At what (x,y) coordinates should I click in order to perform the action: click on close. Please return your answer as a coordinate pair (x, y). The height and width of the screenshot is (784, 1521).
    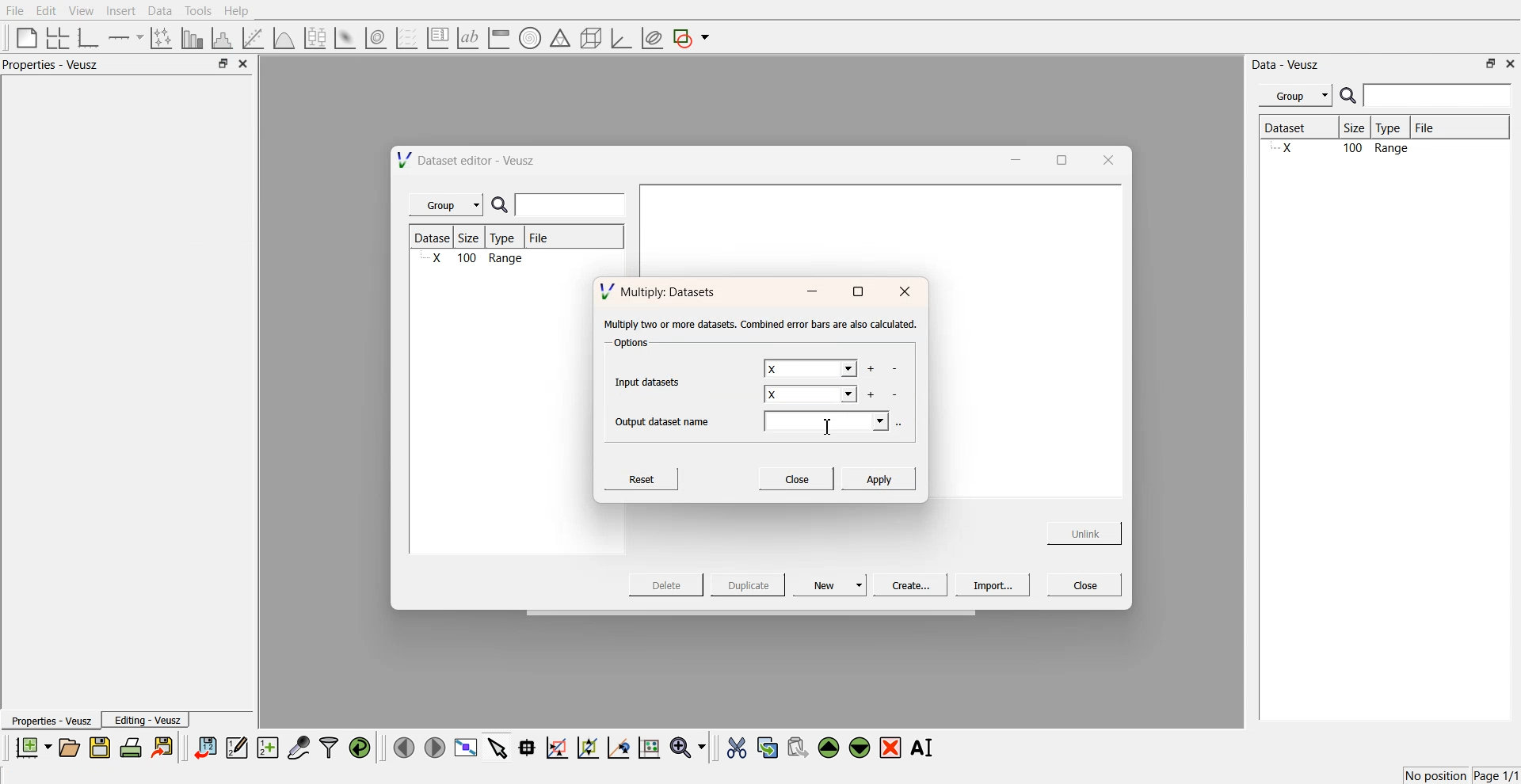
    Looking at the image, I should click on (1107, 159).